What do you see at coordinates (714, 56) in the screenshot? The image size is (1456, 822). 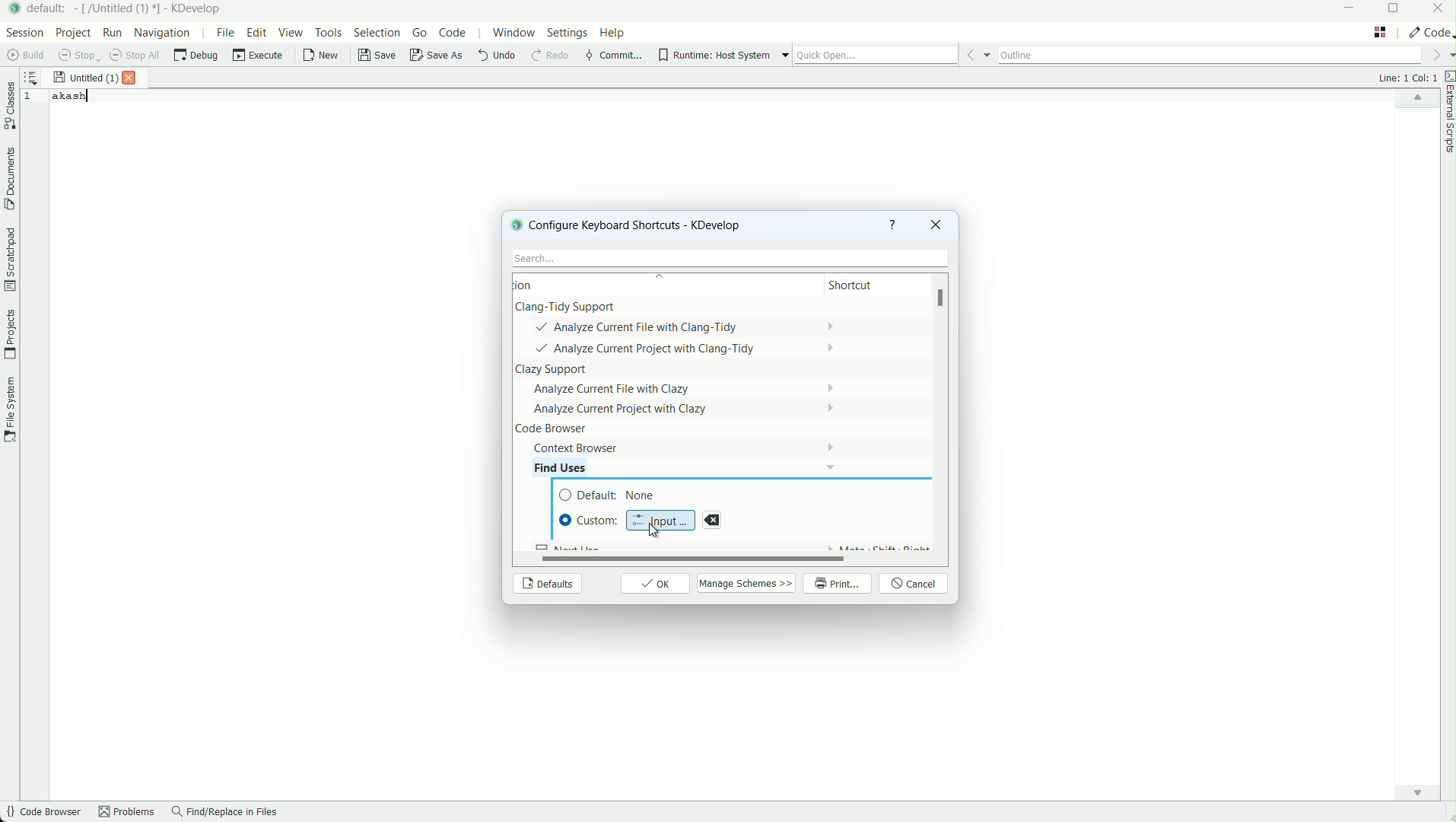 I see `runtime host system` at bounding box center [714, 56].